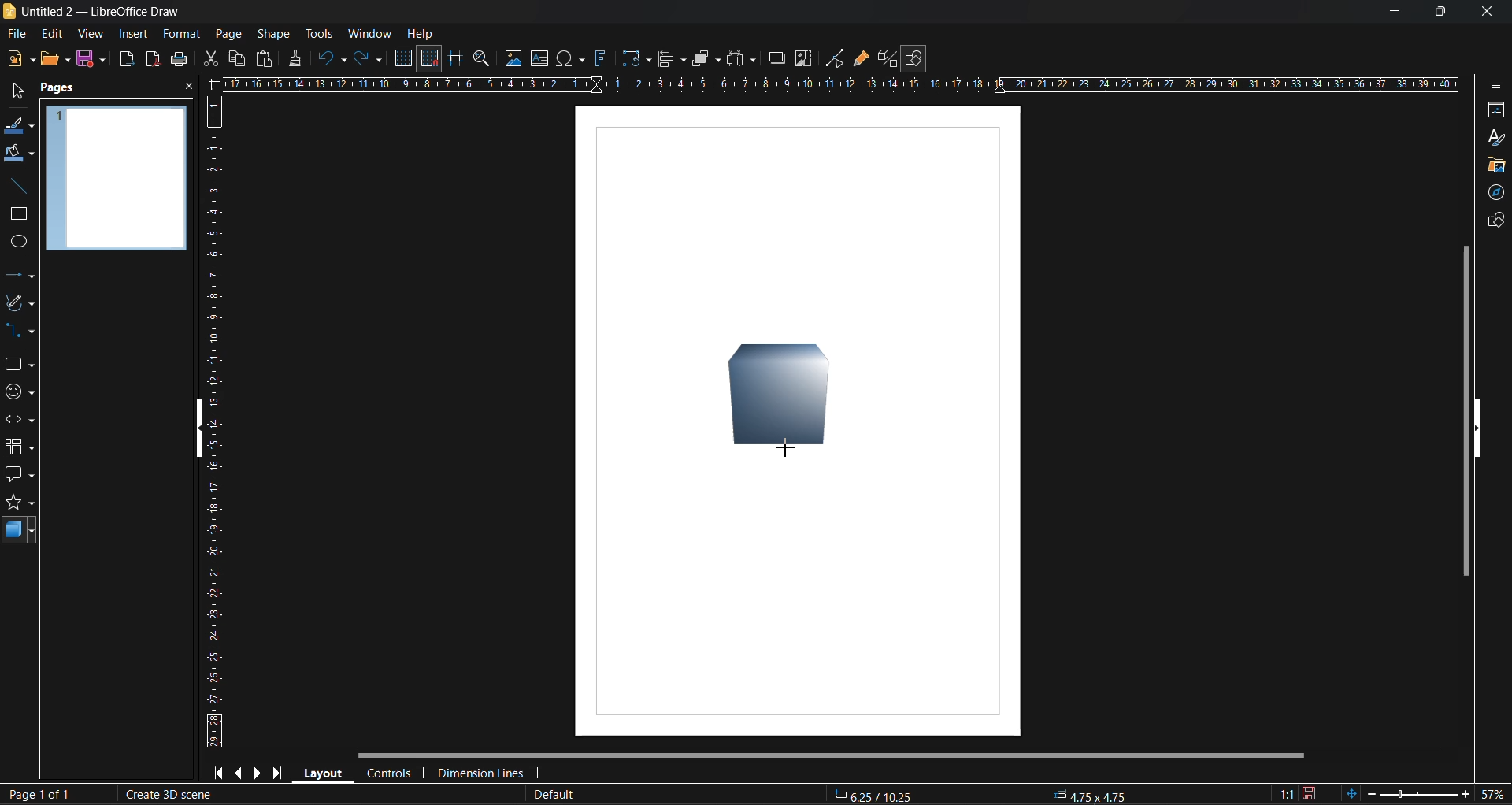  Describe the element at coordinates (18, 365) in the screenshot. I see `shapes` at that location.